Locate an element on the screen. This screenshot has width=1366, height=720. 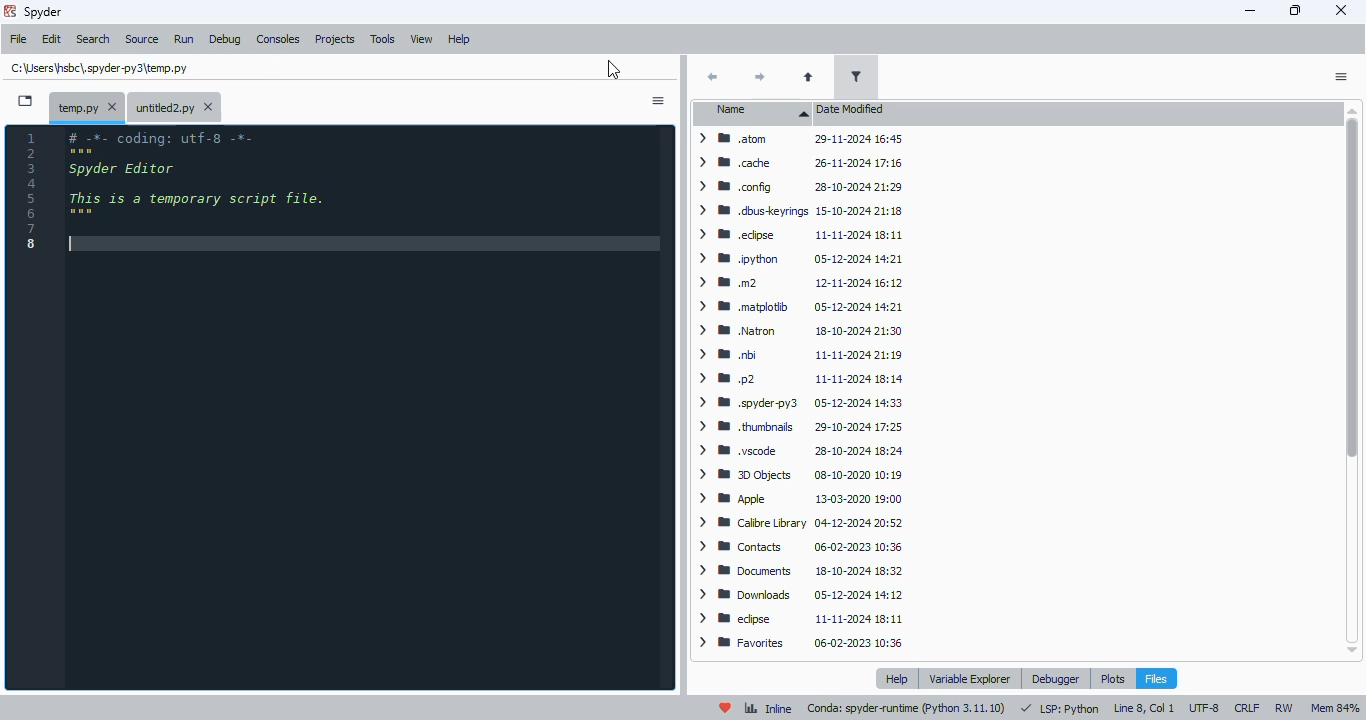
> BW matplotib 05-12-2024 14:21 is located at coordinates (797, 306).